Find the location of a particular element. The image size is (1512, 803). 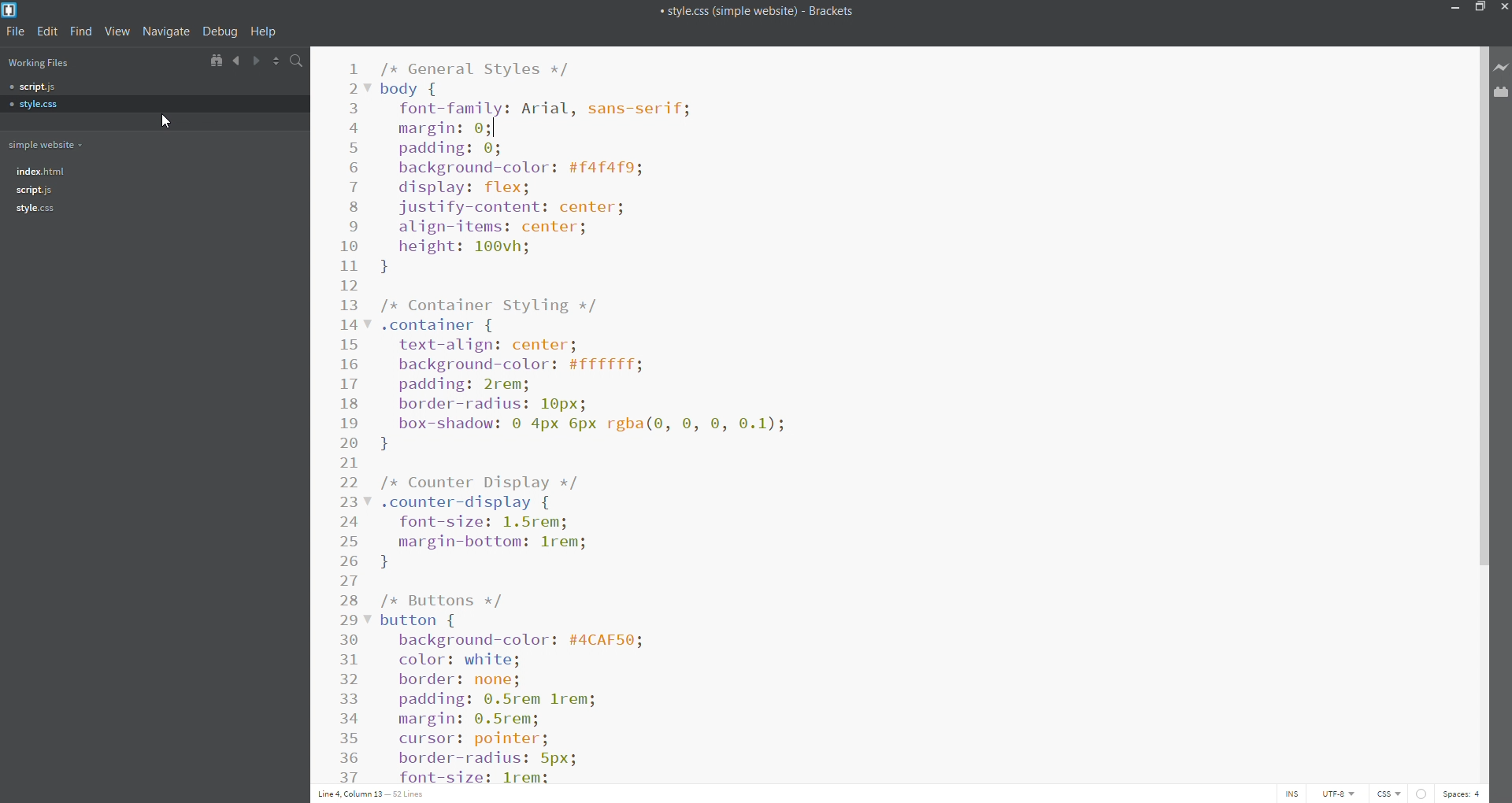

view is located at coordinates (118, 31).